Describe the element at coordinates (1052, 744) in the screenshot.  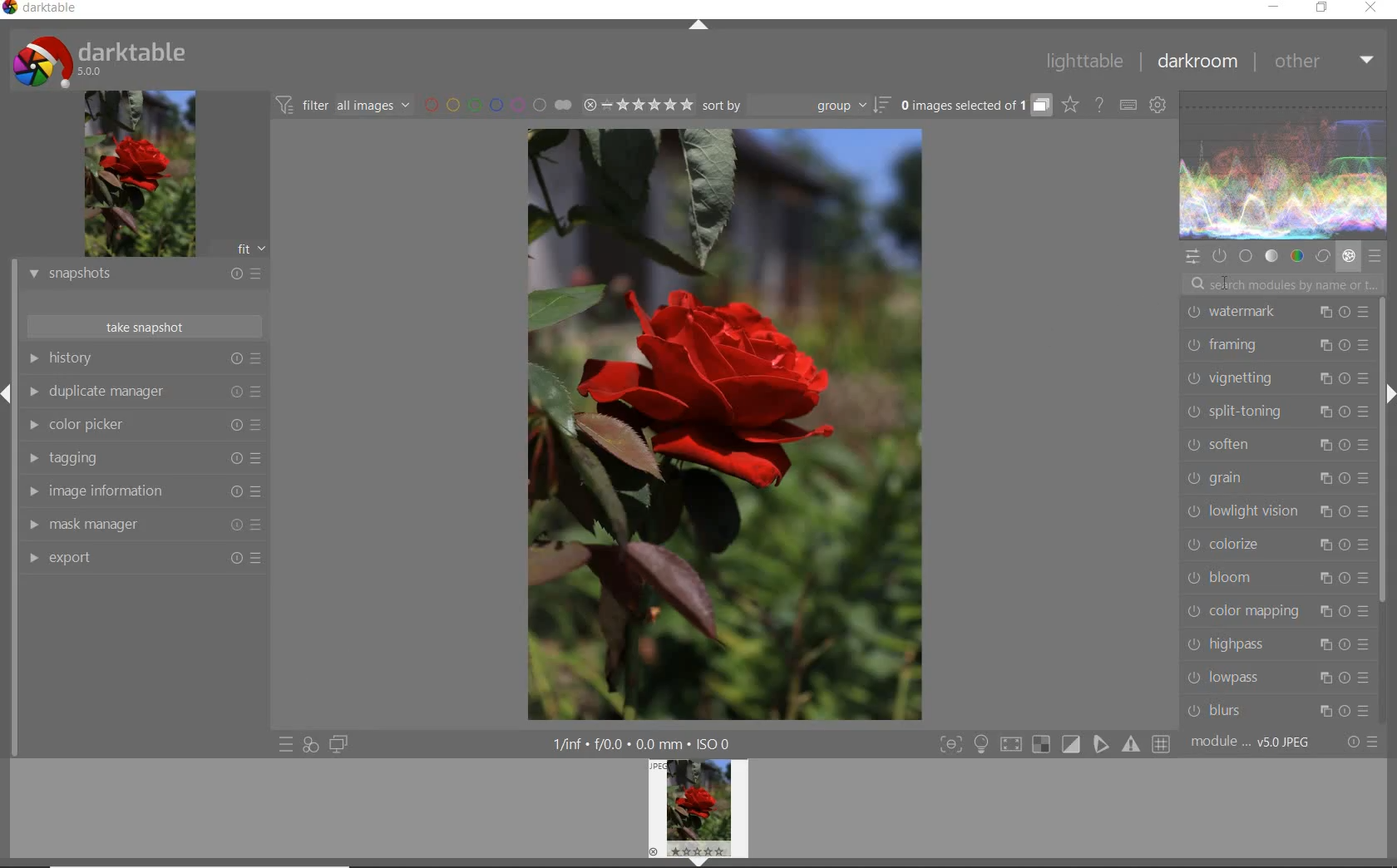
I see `Toggle modes` at that location.